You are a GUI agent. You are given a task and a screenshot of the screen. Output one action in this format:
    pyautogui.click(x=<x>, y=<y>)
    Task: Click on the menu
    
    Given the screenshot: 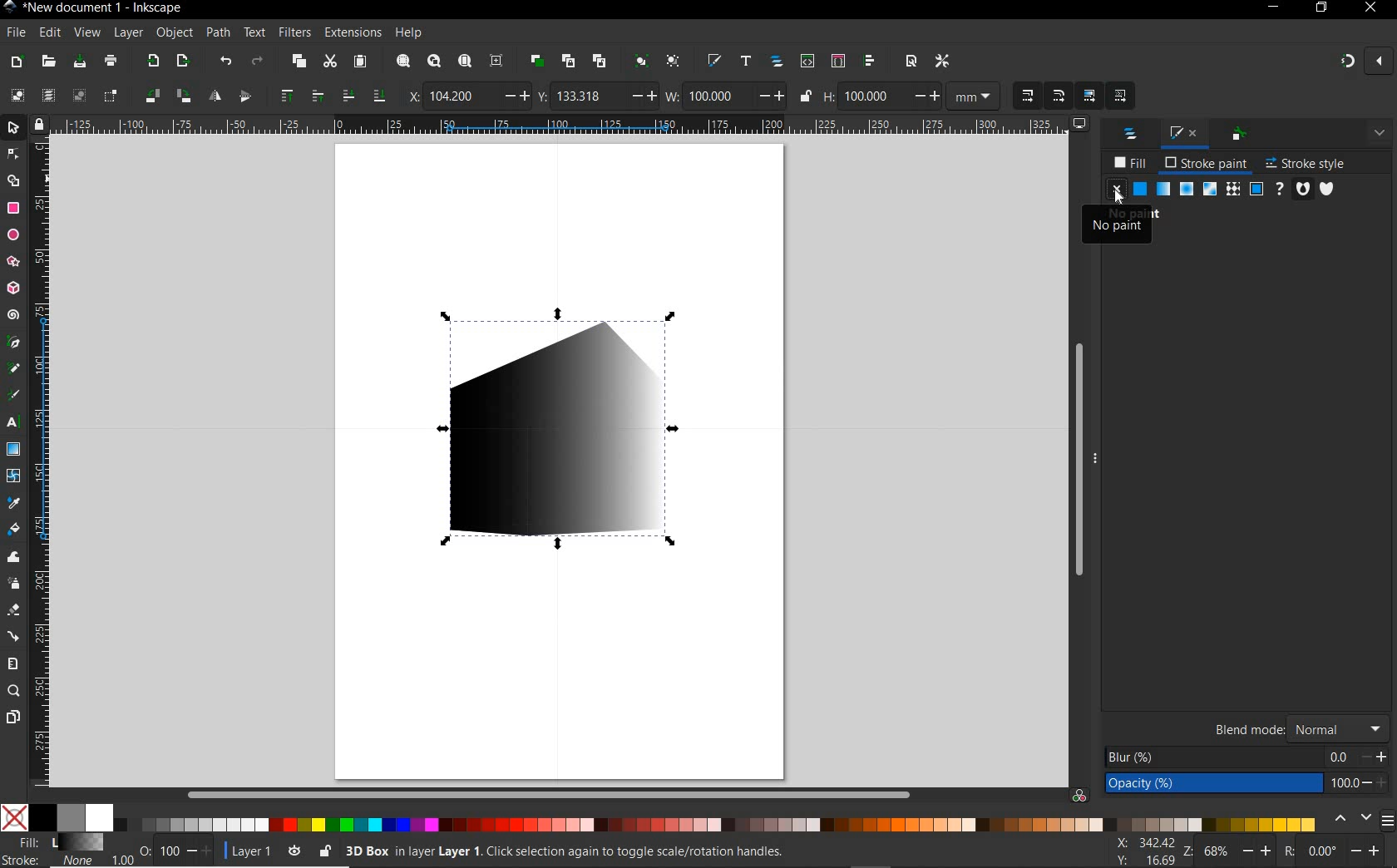 What is the action you would take?
    pyautogui.click(x=1388, y=820)
    